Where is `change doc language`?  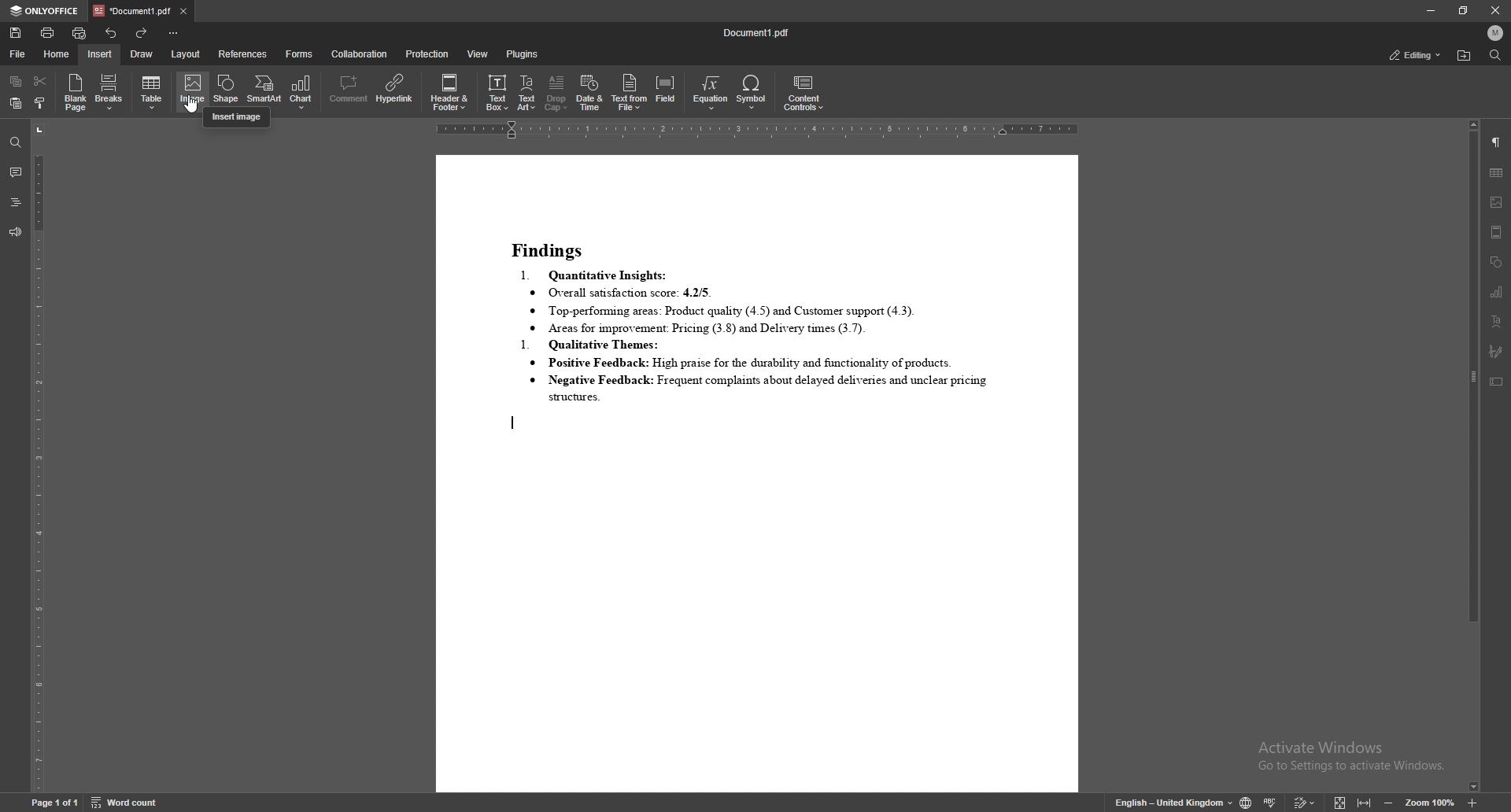 change doc language is located at coordinates (1245, 803).